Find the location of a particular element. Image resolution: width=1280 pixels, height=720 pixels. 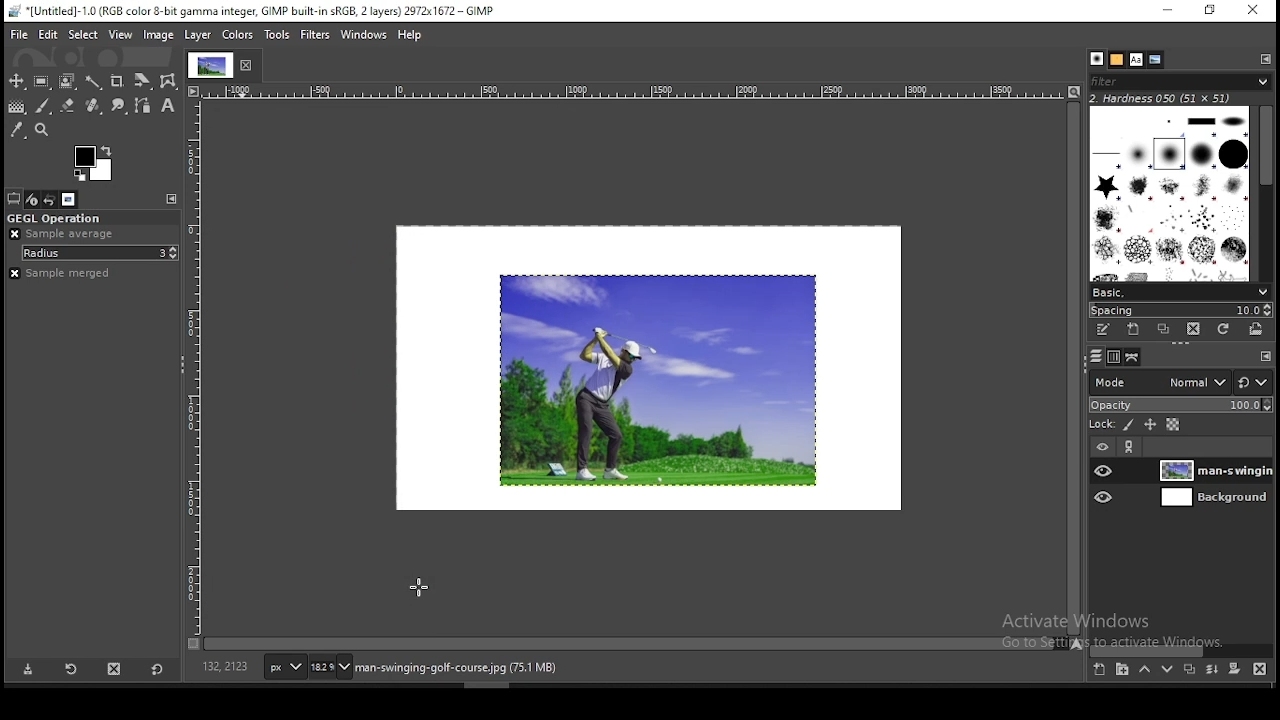

edit is located at coordinates (48, 34).